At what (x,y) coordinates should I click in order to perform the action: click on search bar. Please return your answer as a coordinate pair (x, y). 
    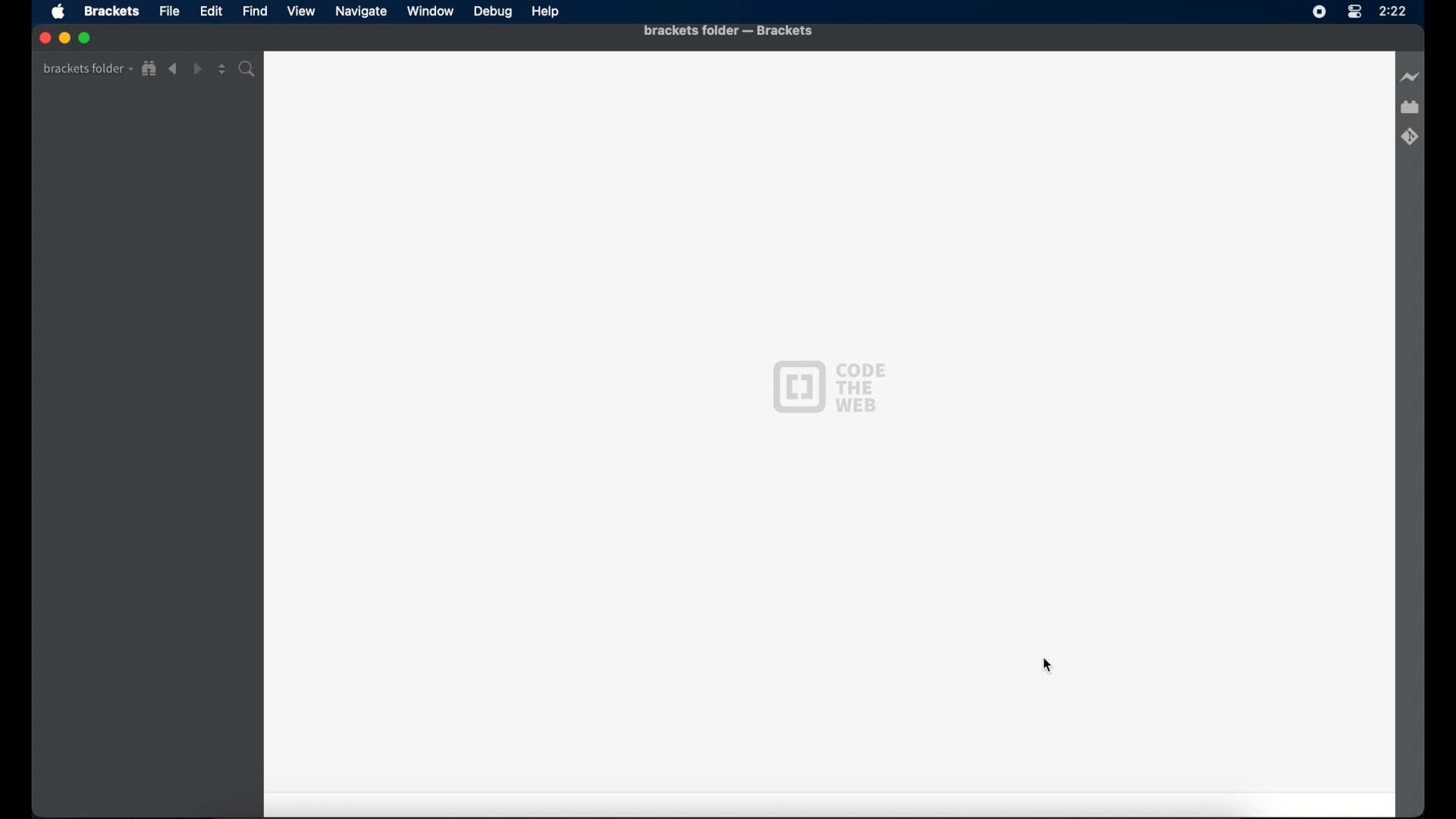
    Looking at the image, I should click on (249, 69).